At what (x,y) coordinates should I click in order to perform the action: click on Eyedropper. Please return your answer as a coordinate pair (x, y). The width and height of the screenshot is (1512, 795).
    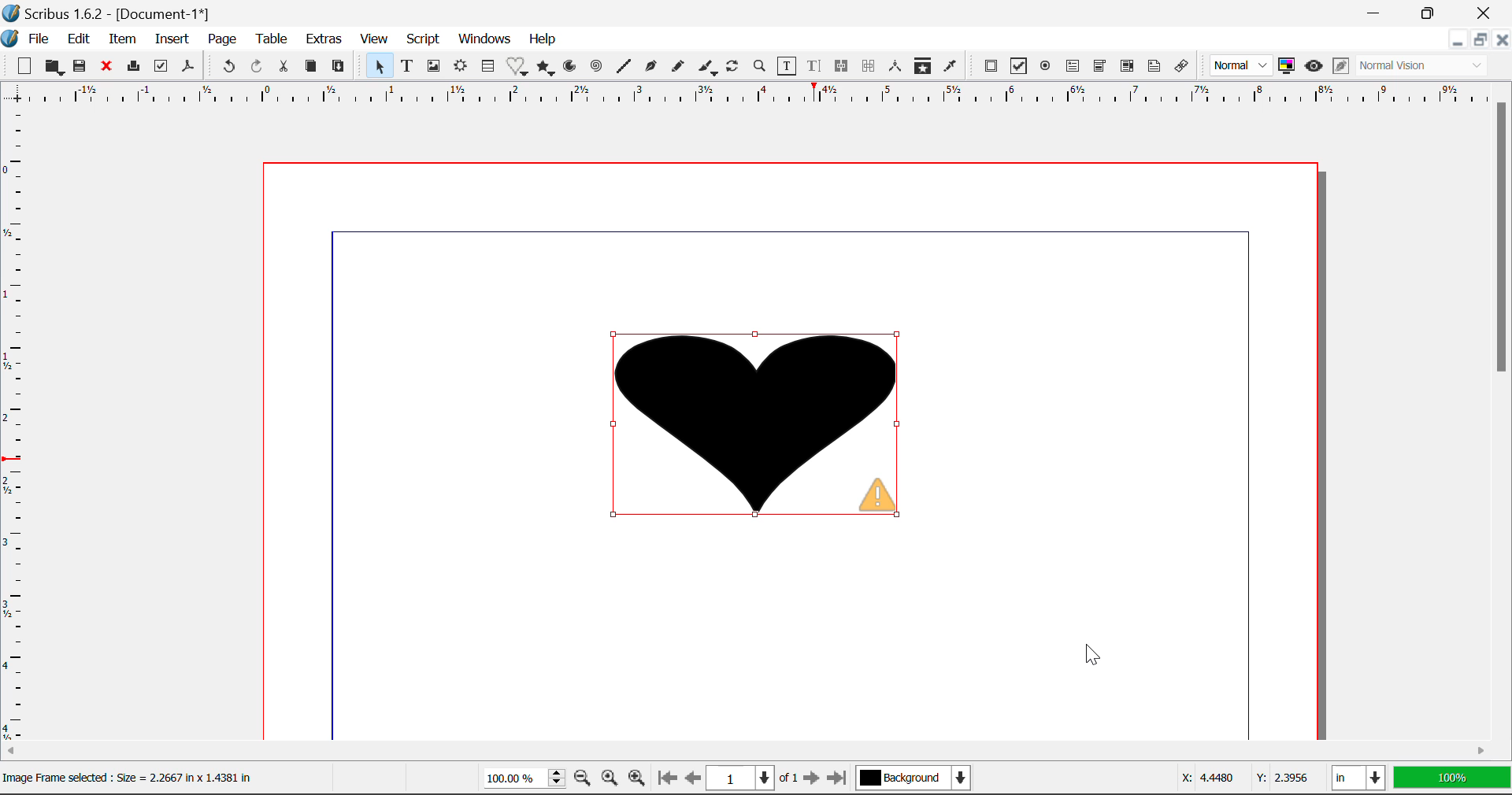
    Looking at the image, I should click on (951, 66).